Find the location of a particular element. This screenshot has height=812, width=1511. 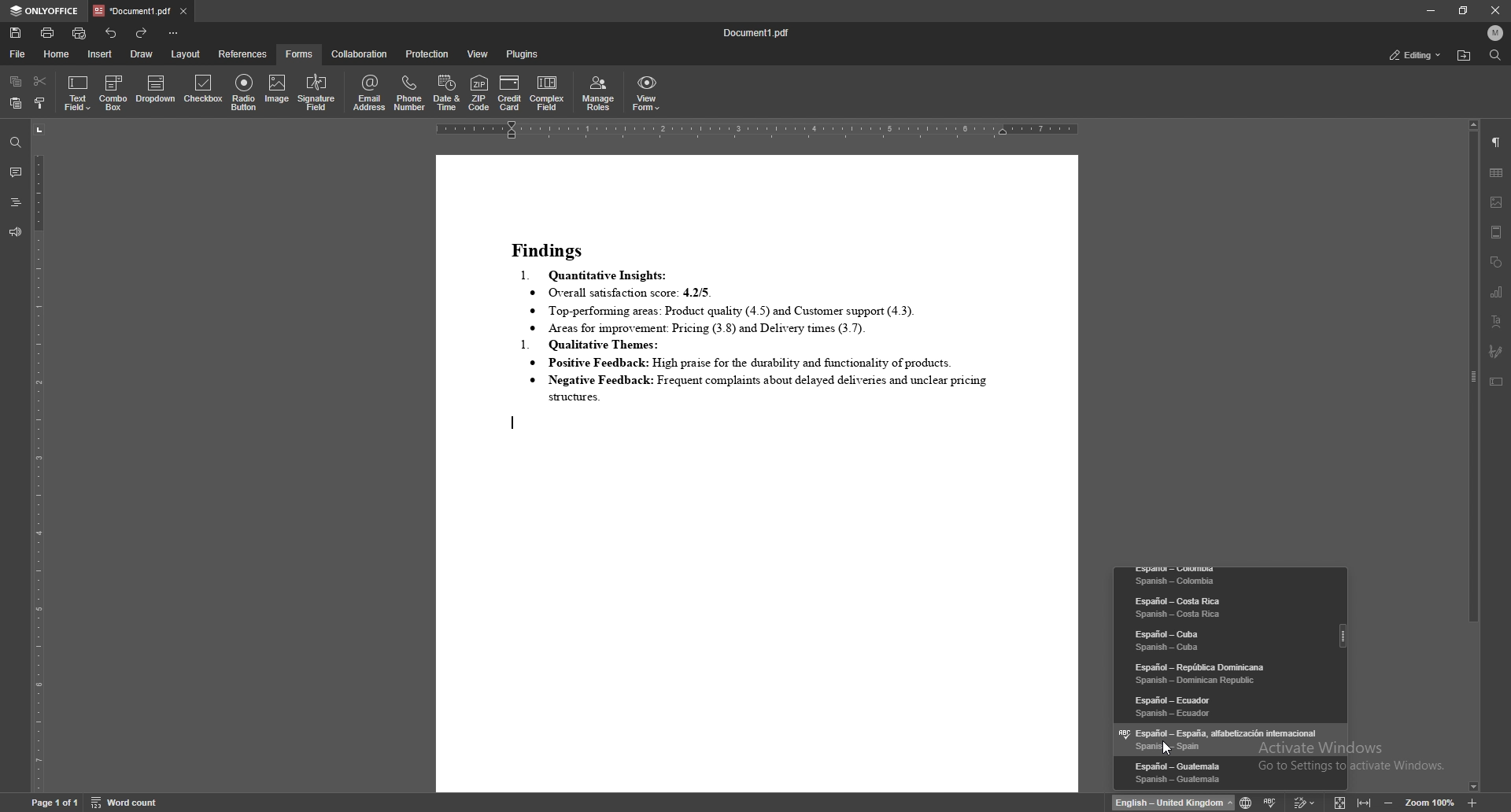

insert is located at coordinates (99, 54).